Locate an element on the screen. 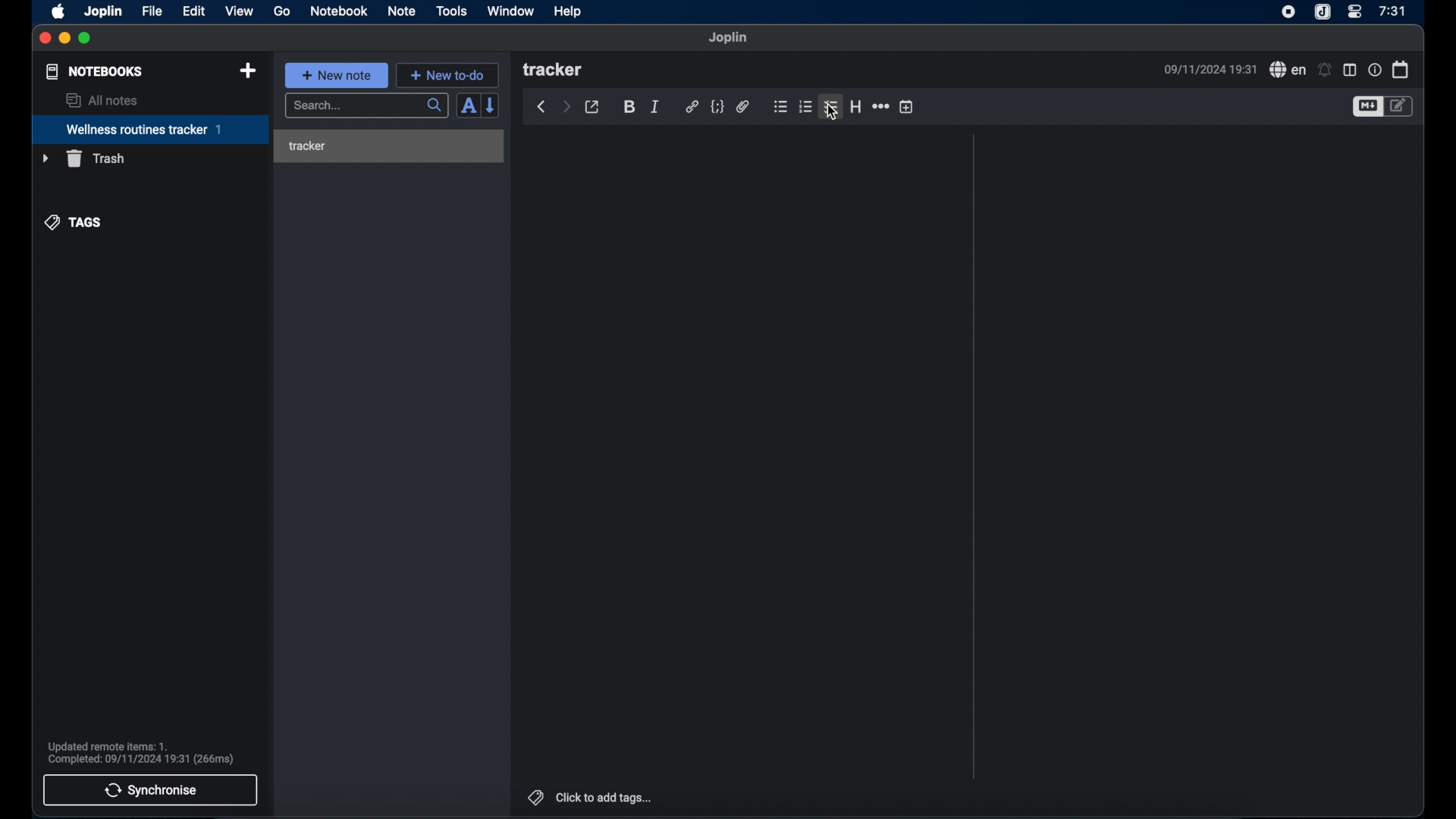 This screenshot has width=1456, height=819. screen recorder is located at coordinates (1288, 11).